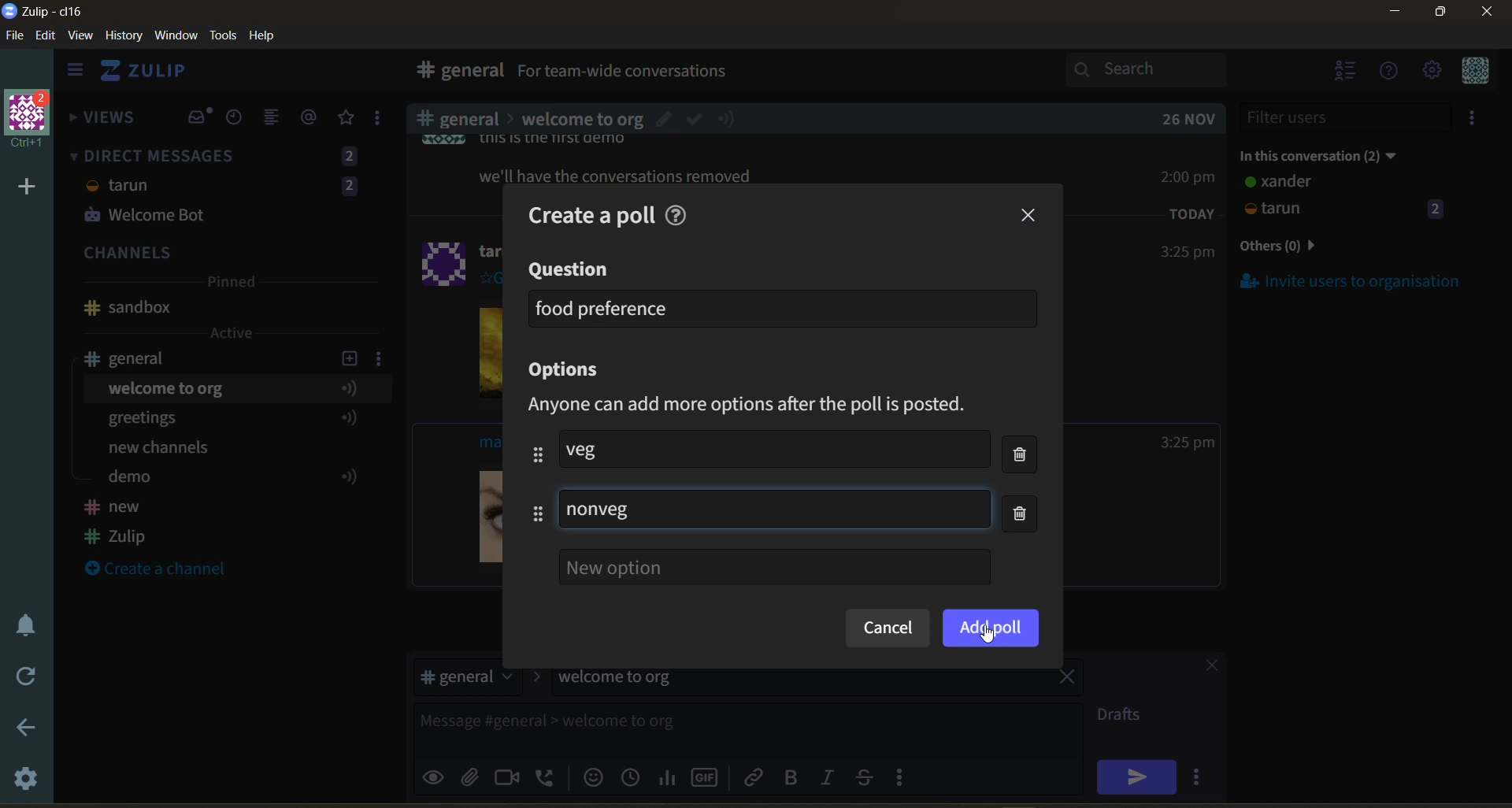  Describe the element at coordinates (1390, 72) in the screenshot. I see `help menu` at that location.